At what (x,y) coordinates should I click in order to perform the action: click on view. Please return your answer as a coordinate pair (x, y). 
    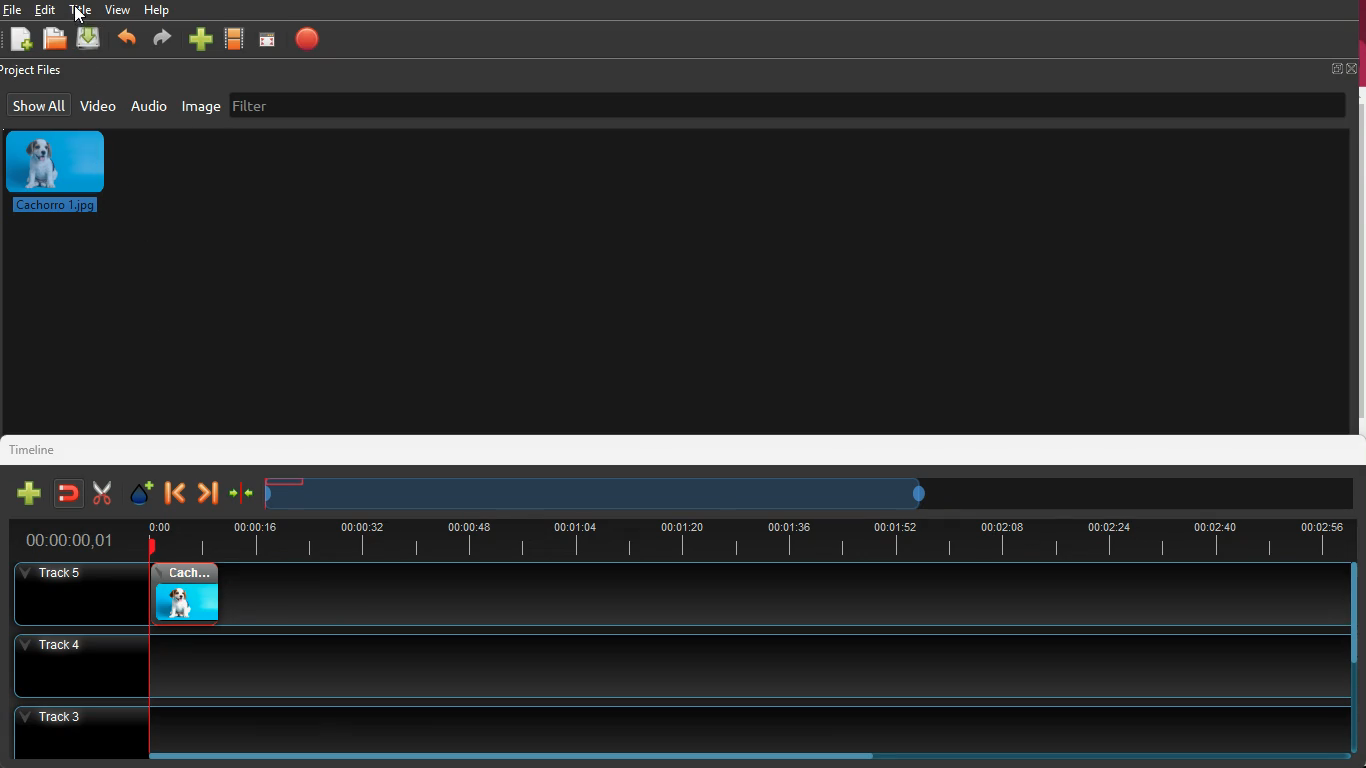
    Looking at the image, I should click on (118, 9).